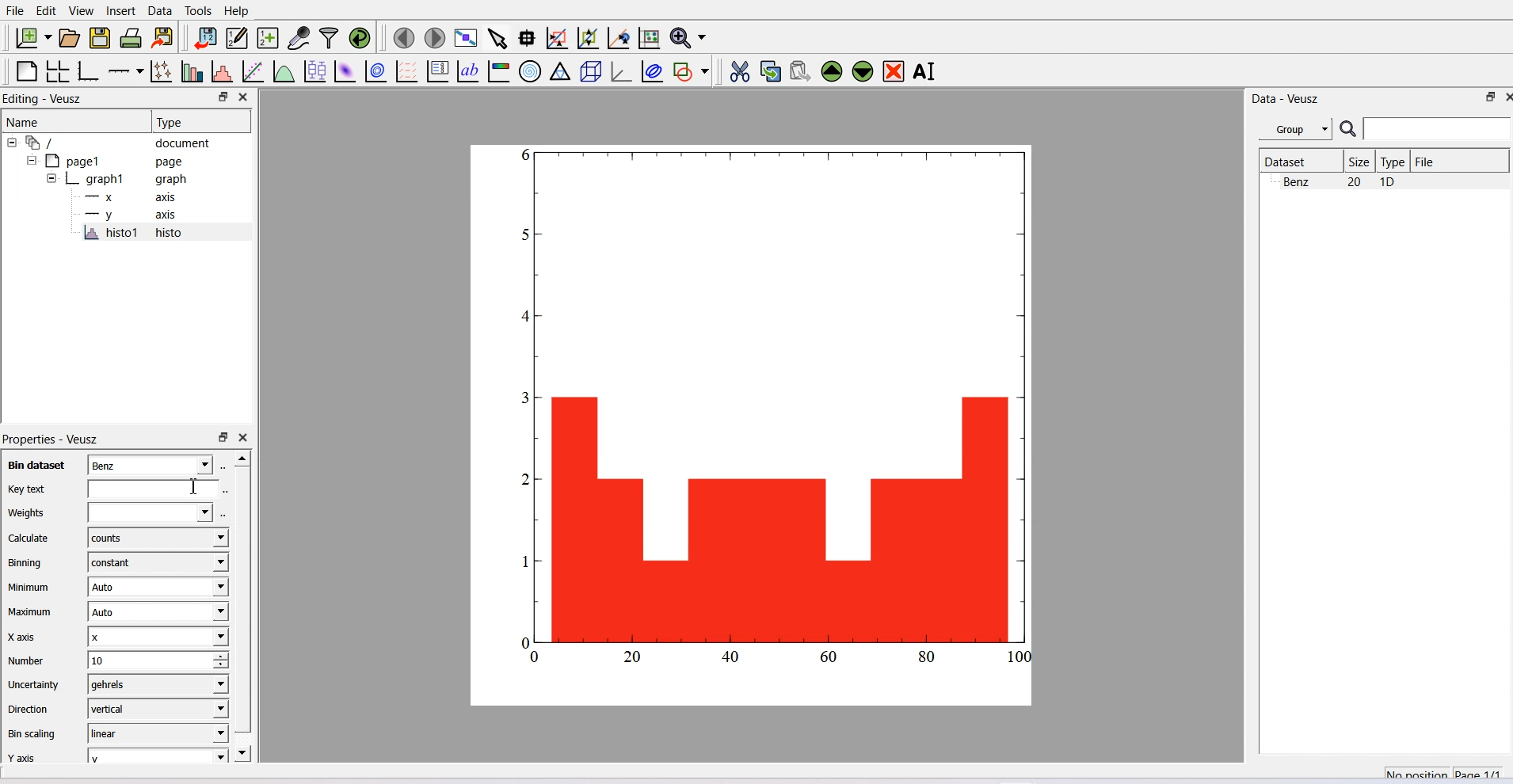 The height and width of the screenshot is (784, 1513). What do you see at coordinates (32, 37) in the screenshot?
I see `New Document` at bounding box center [32, 37].